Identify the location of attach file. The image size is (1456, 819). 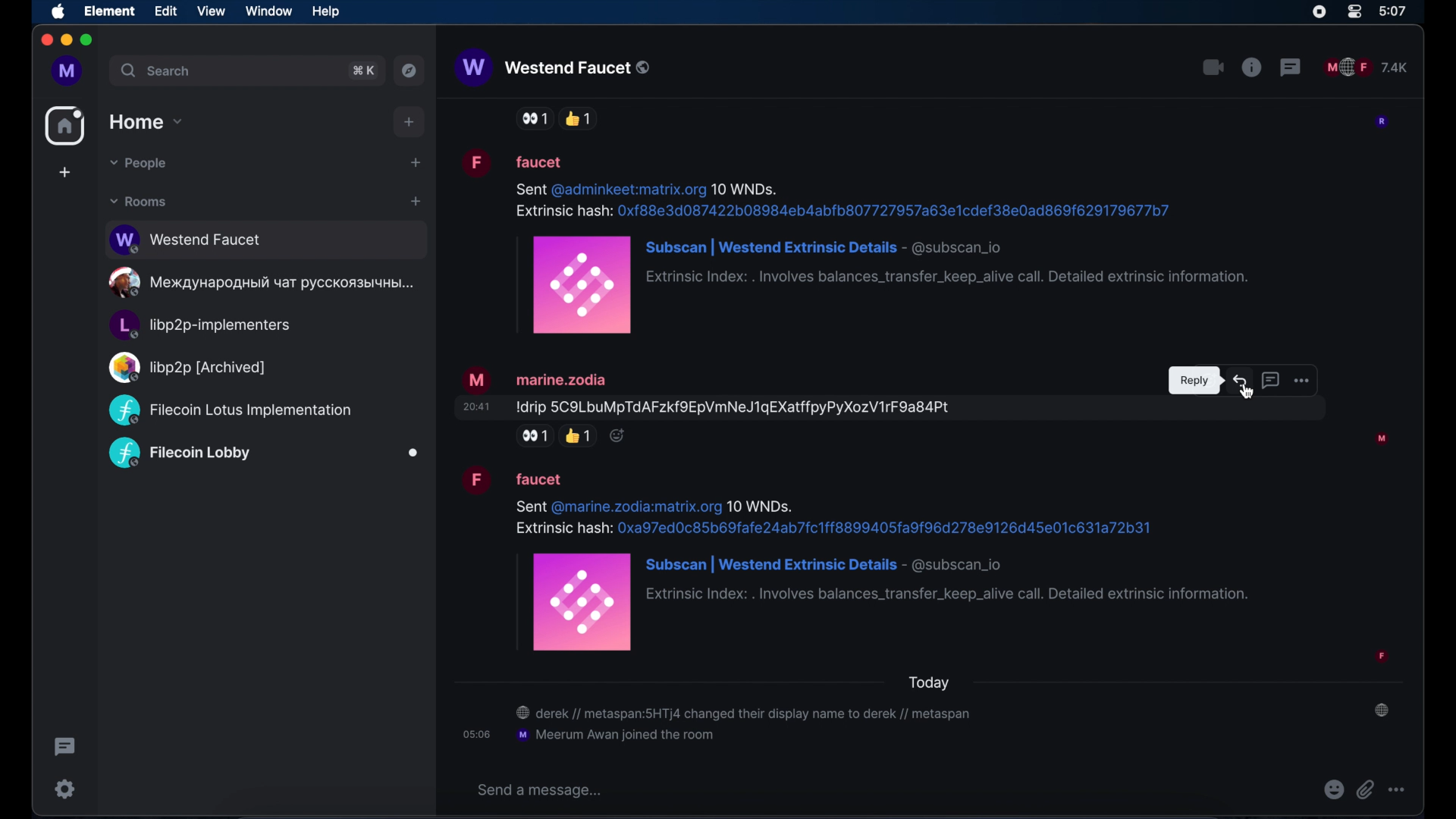
(1366, 790).